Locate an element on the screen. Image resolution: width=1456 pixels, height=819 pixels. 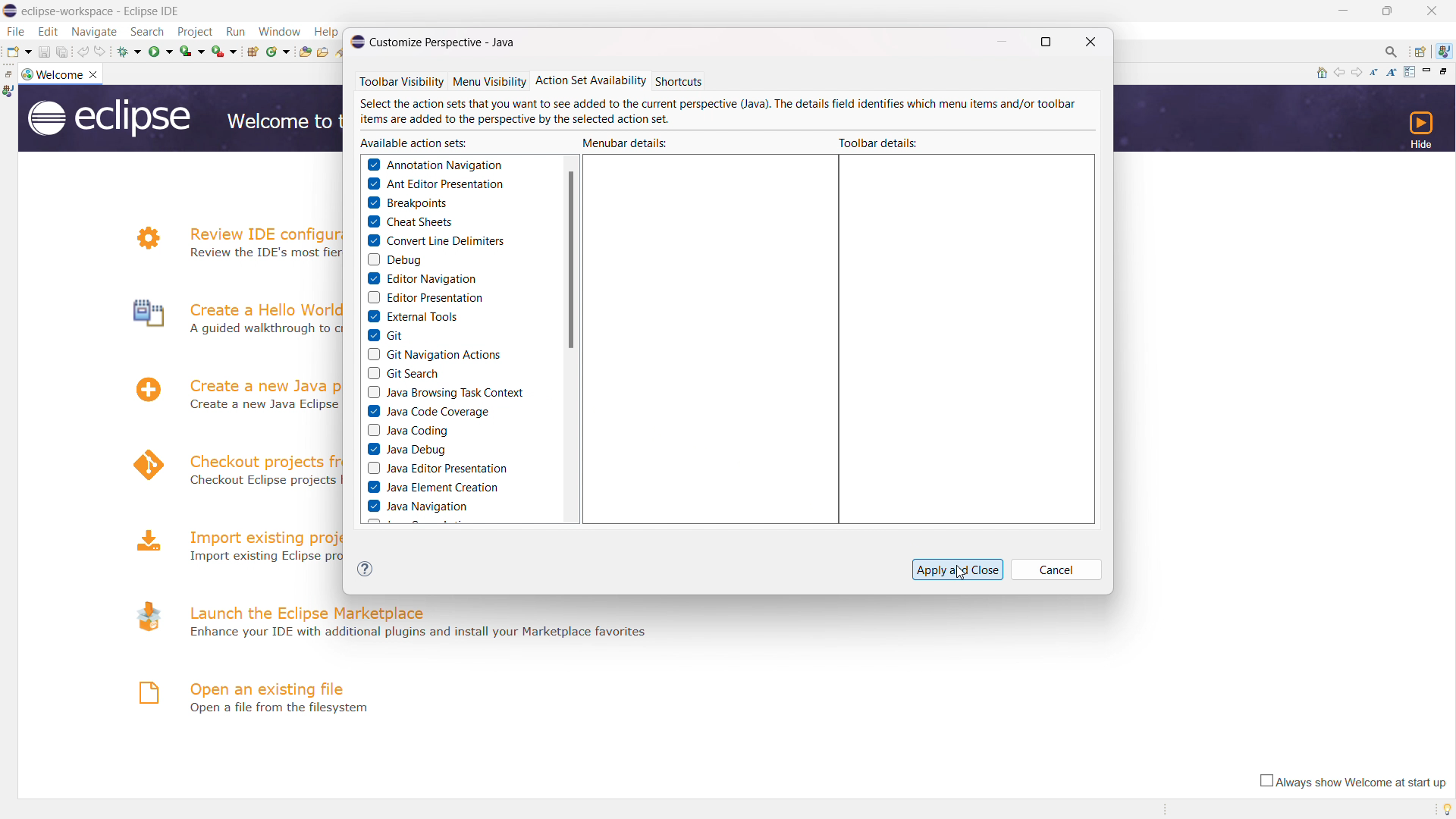
java coding is located at coordinates (406, 430).